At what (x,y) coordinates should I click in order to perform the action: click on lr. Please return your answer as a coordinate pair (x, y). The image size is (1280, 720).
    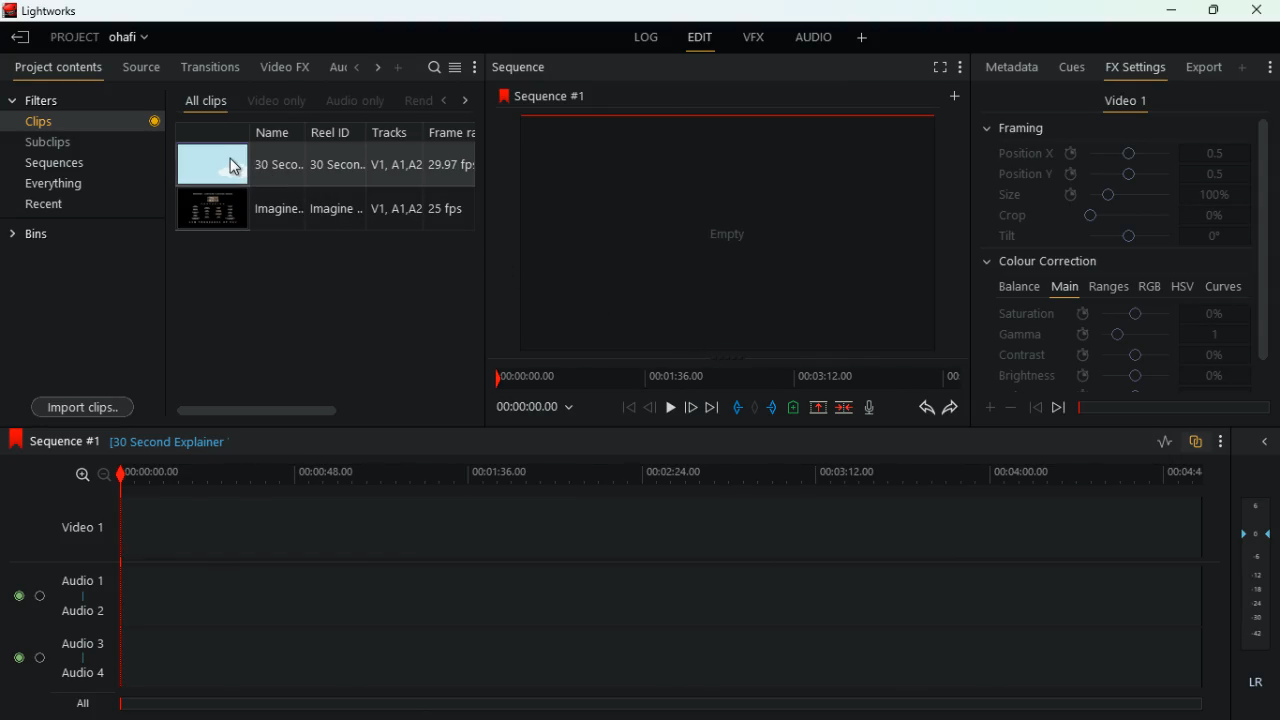
    Looking at the image, I should click on (1254, 683).